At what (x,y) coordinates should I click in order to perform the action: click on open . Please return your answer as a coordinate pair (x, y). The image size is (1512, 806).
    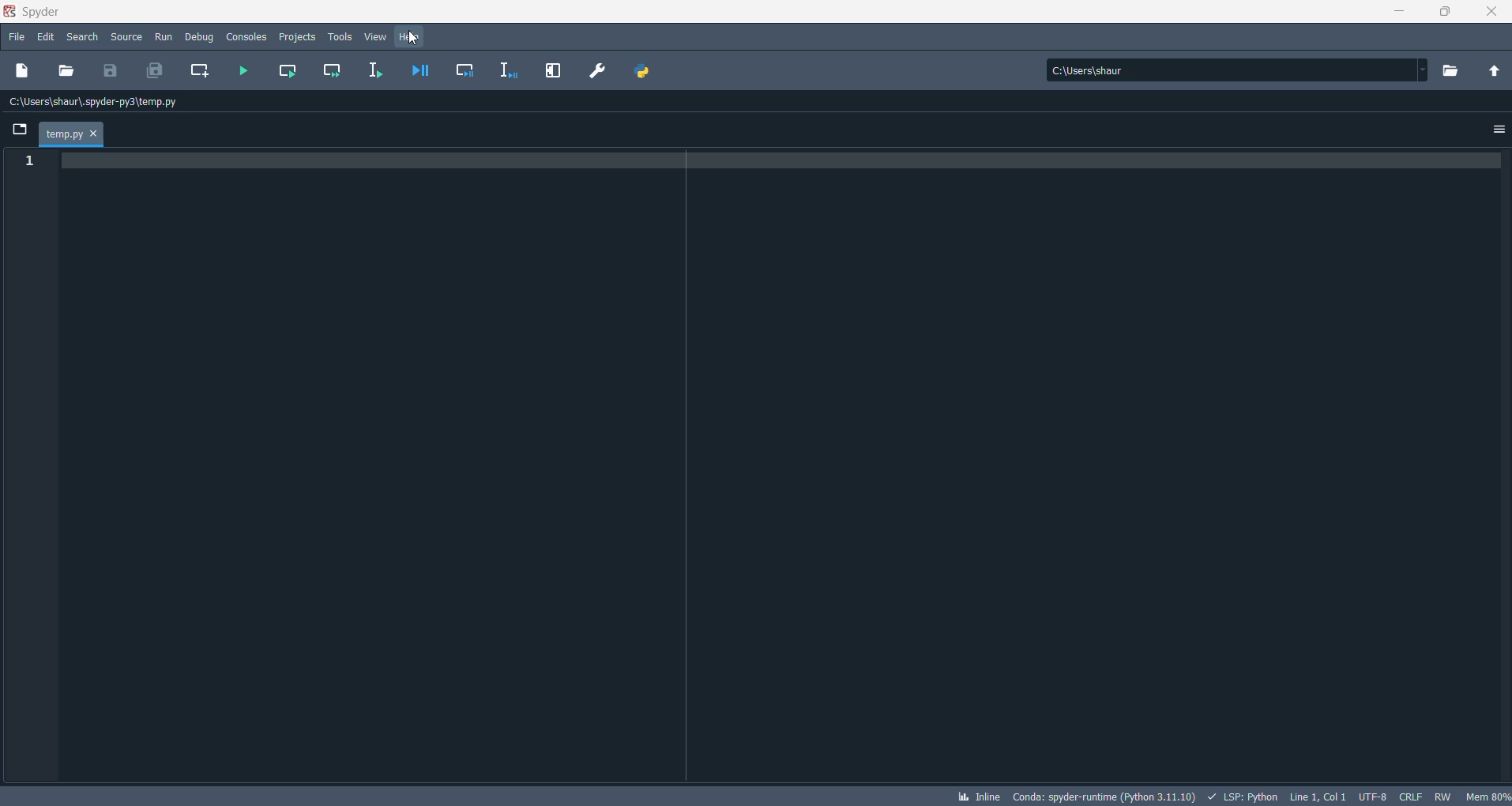
    Looking at the image, I should click on (69, 72).